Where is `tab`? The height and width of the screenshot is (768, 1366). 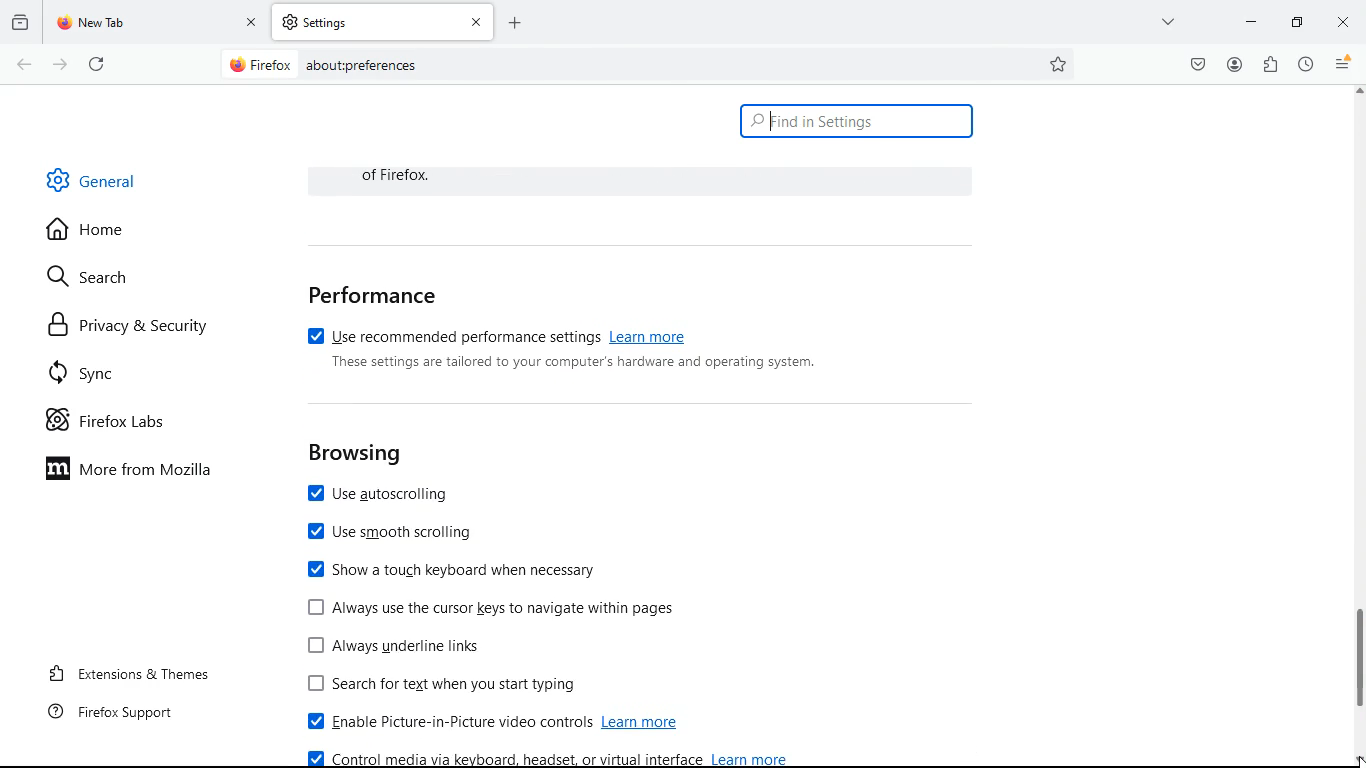 tab is located at coordinates (384, 22).